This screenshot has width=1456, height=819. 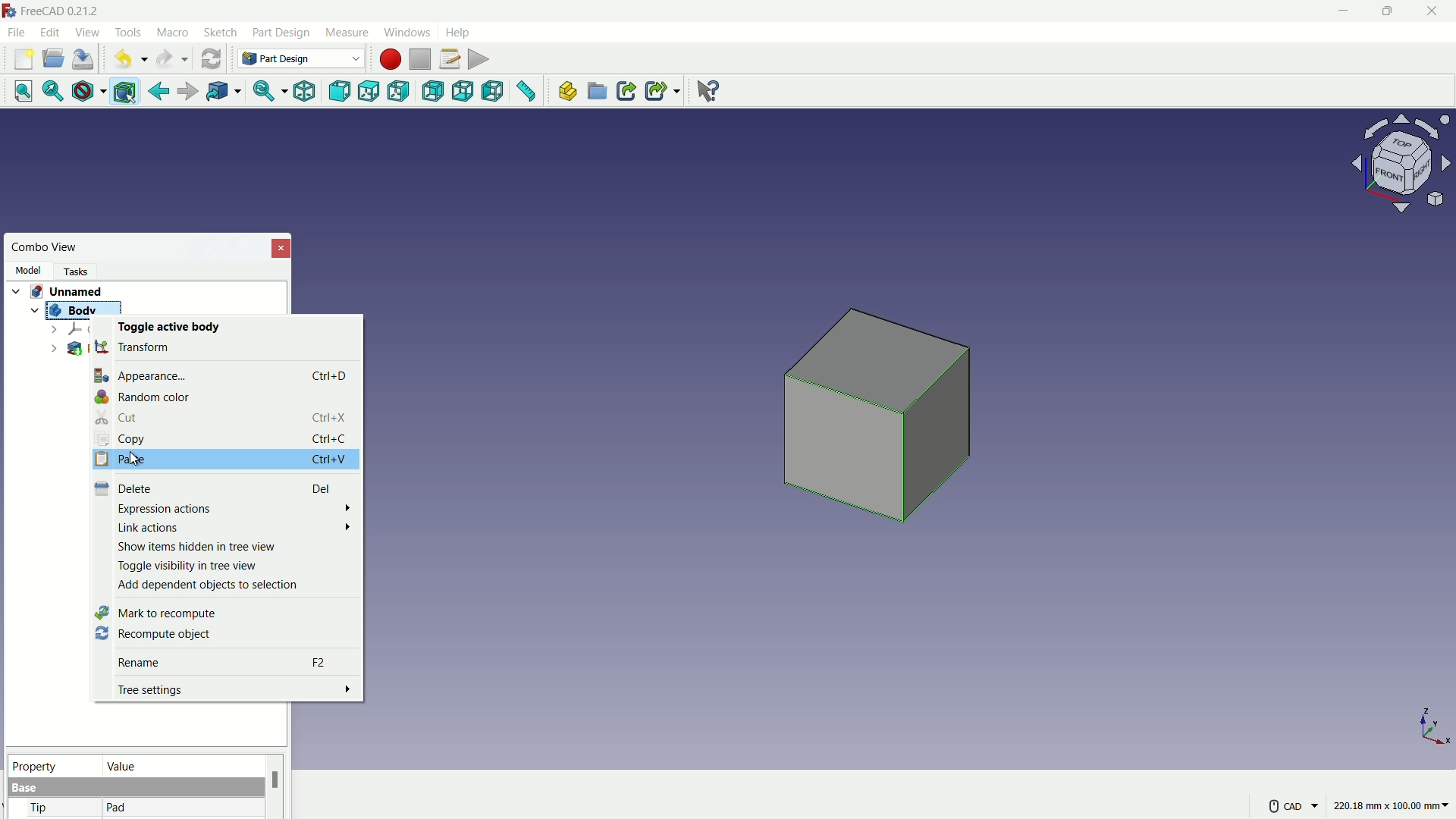 I want to click on combo view, so click(x=45, y=247).